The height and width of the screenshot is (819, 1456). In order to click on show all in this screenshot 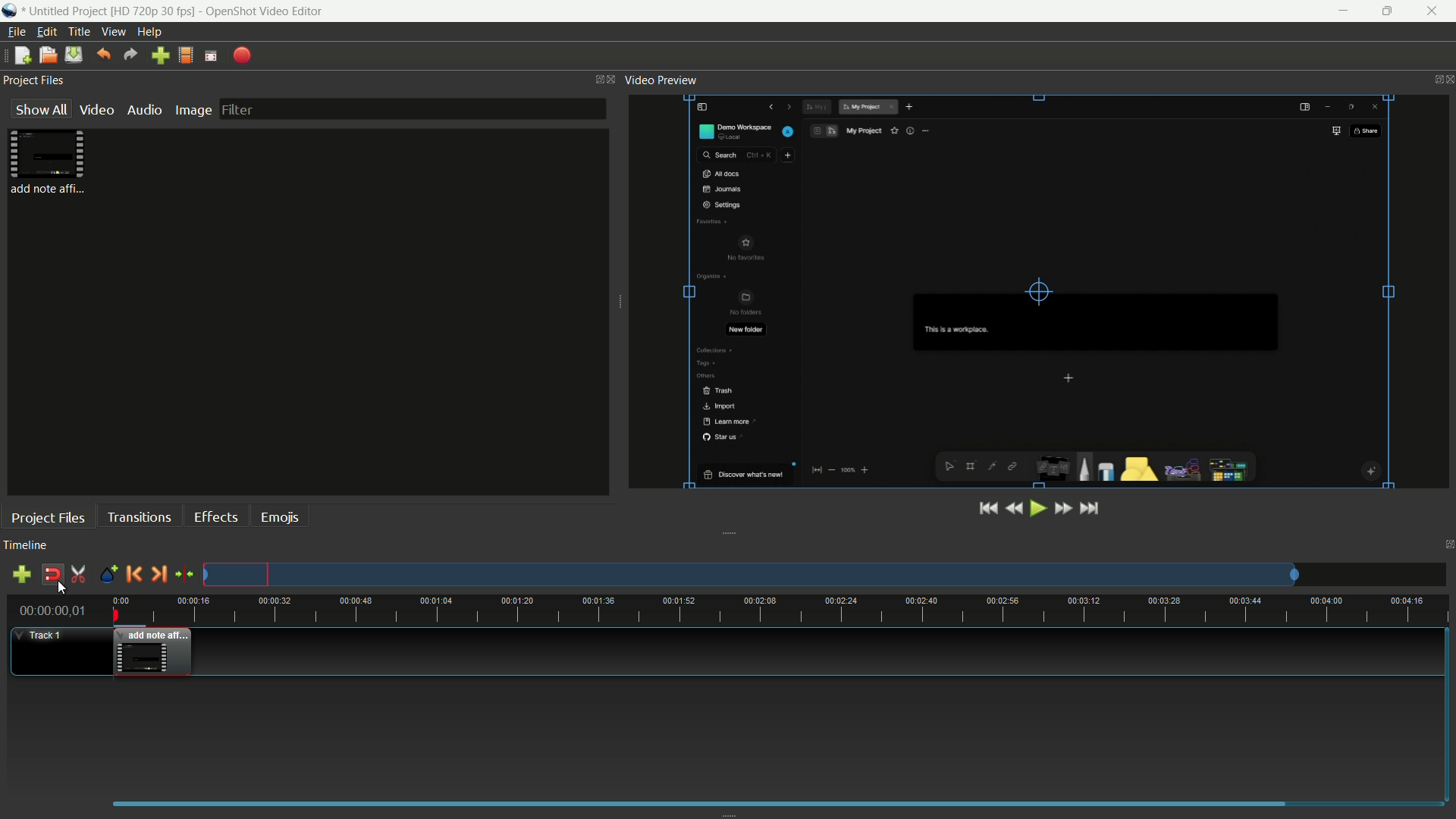, I will do `click(42, 109)`.